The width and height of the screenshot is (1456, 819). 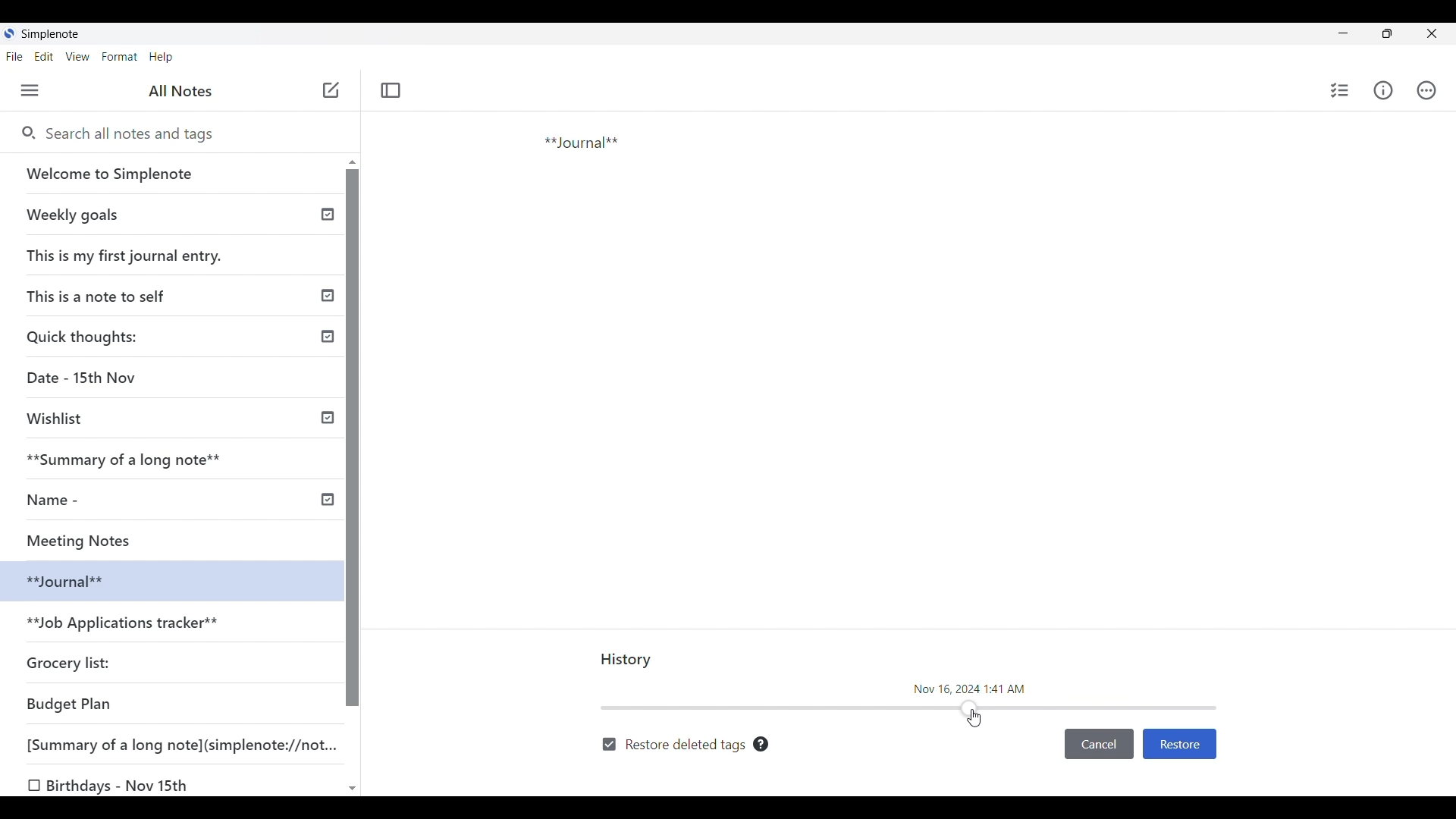 What do you see at coordinates (1426, 90) in the screenshot?
I see `Actions` at bounding box center [1426, 90].